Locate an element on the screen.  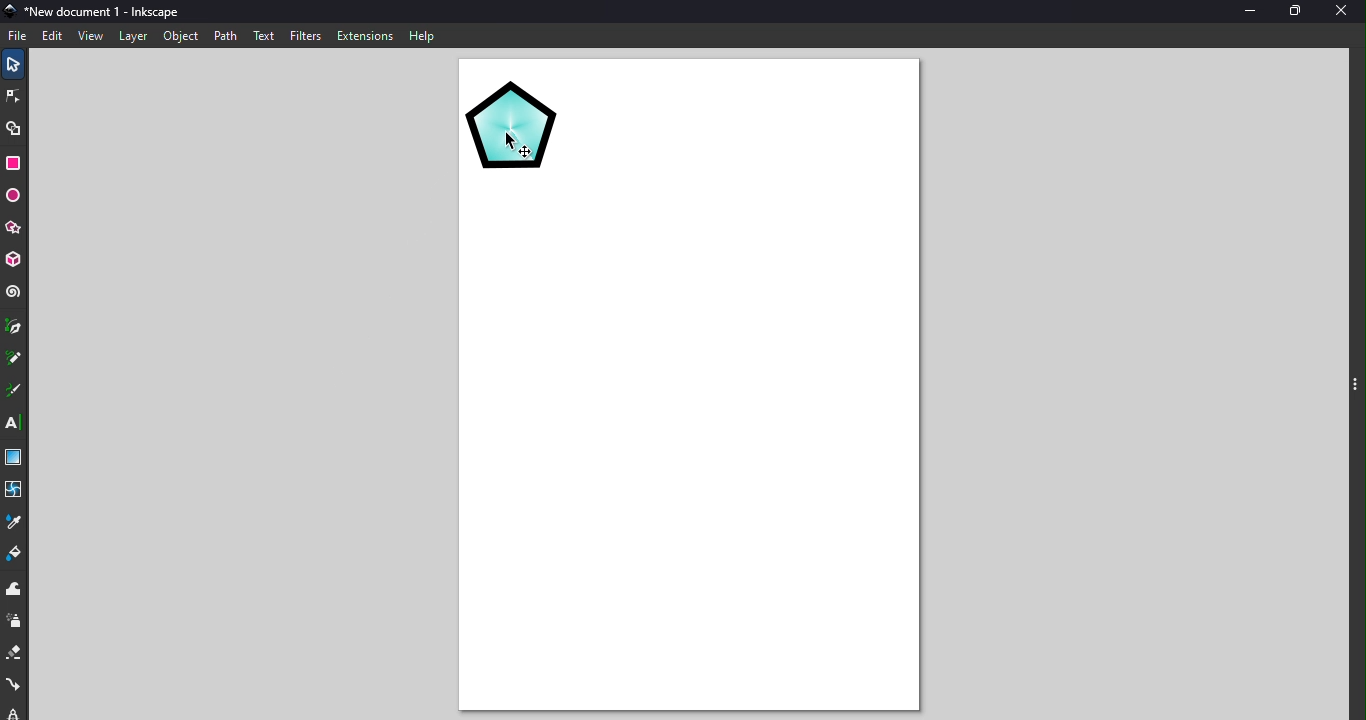
Toggle command panel is located at coordinates (1353, 387).